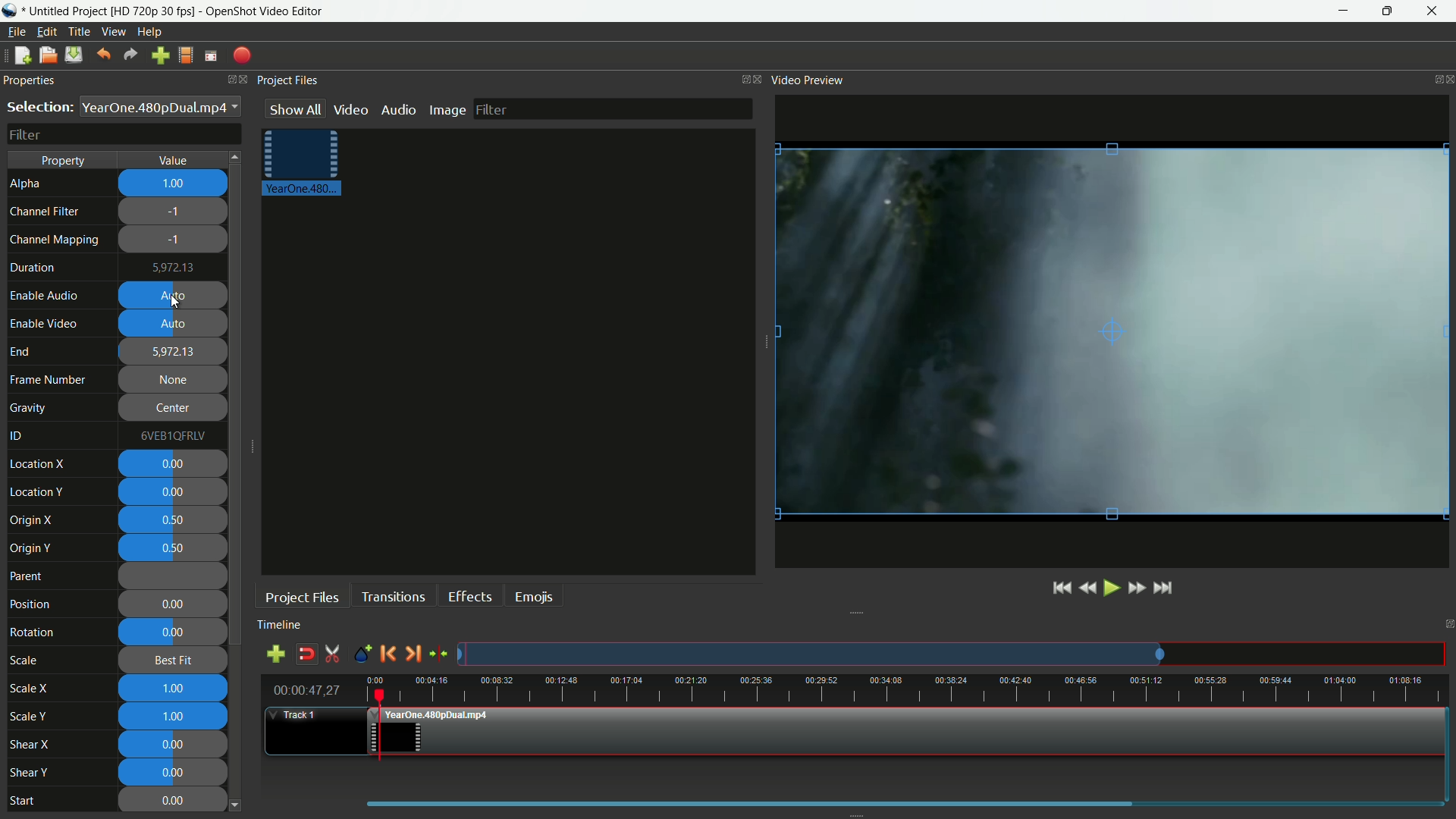  I want to click on new file, so click(23, 55).